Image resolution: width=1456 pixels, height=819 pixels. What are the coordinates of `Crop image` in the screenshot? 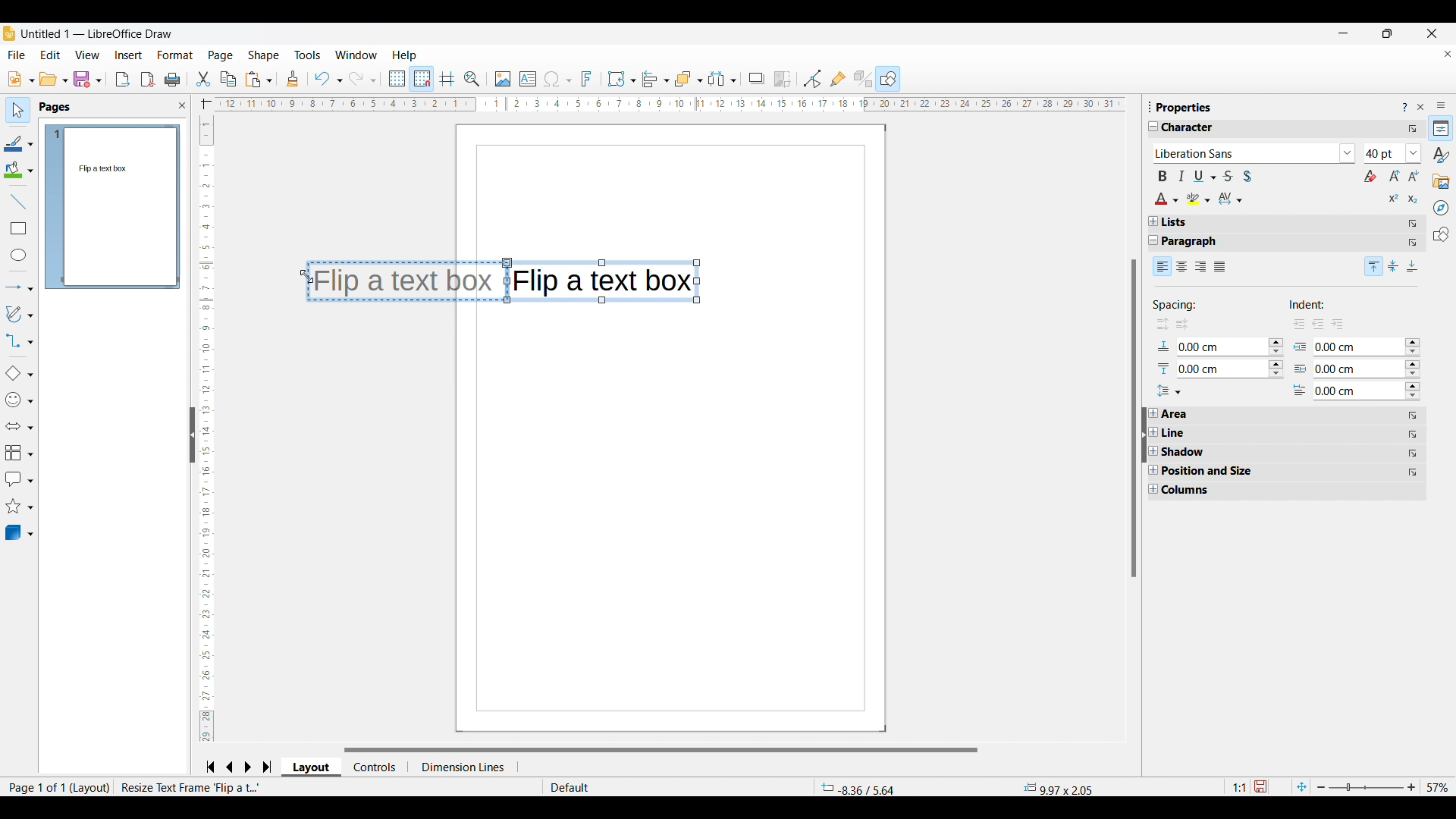 It's located at (783, 80).